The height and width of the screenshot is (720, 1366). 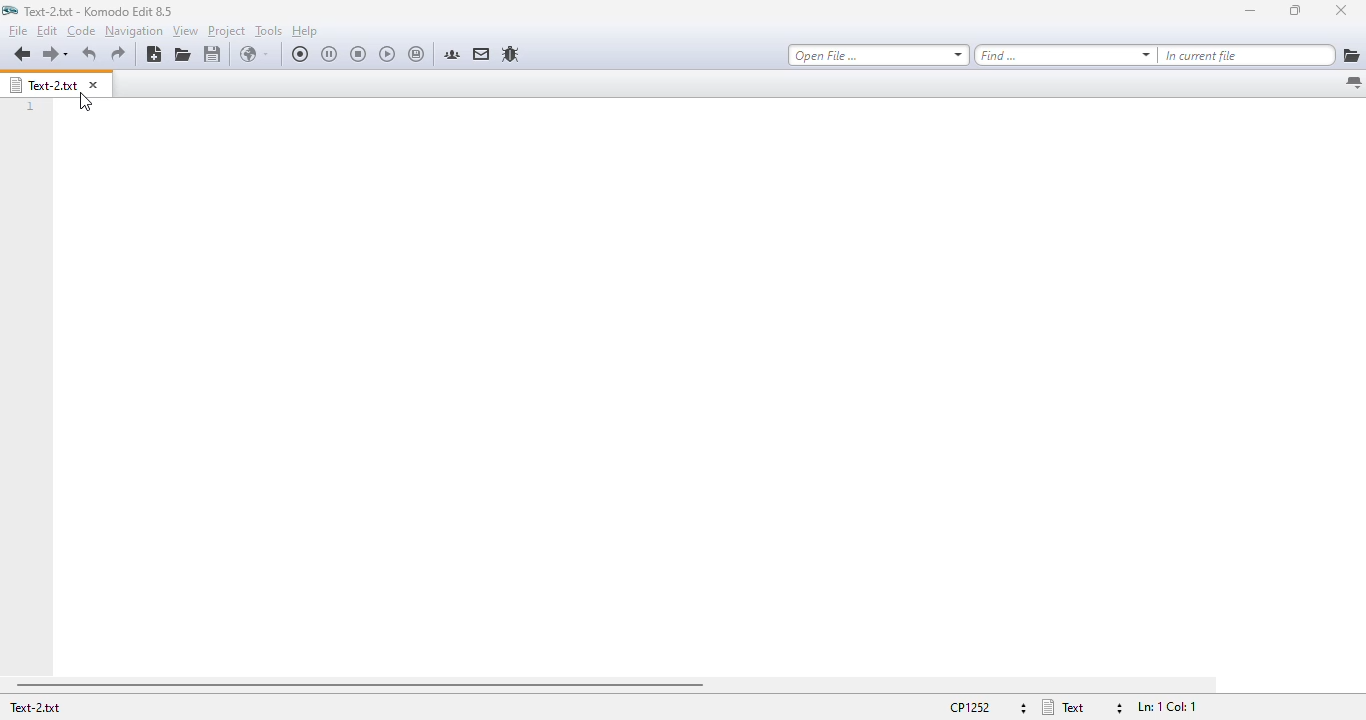 I want to click on close tab, so click(x=95, y=83).